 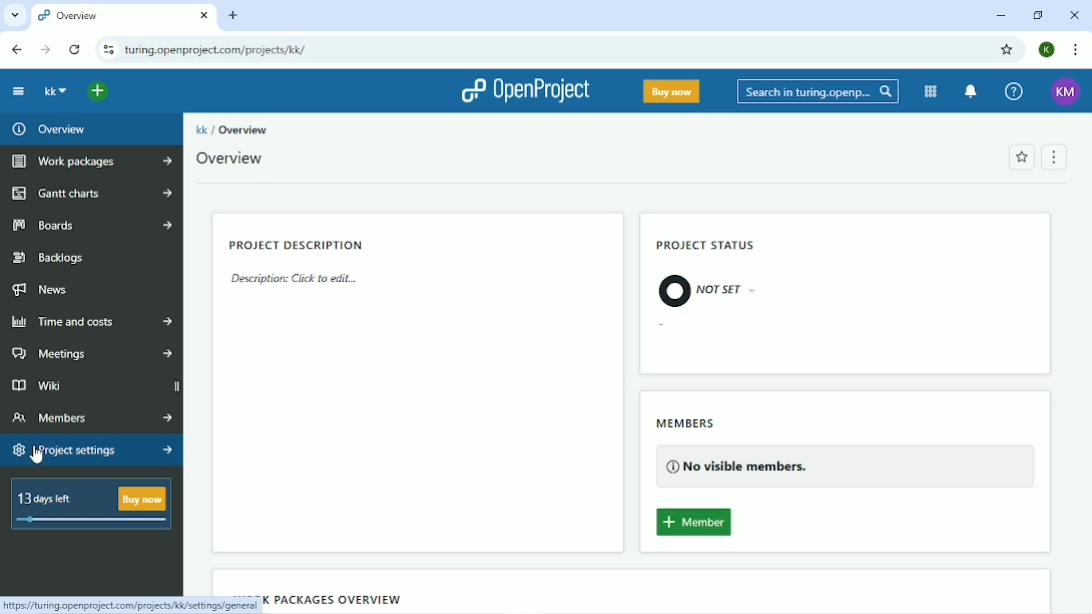 What do you see at coordinates (106, 49) in the screenshot?
I see `View site information` at bounding box center [106, 49].